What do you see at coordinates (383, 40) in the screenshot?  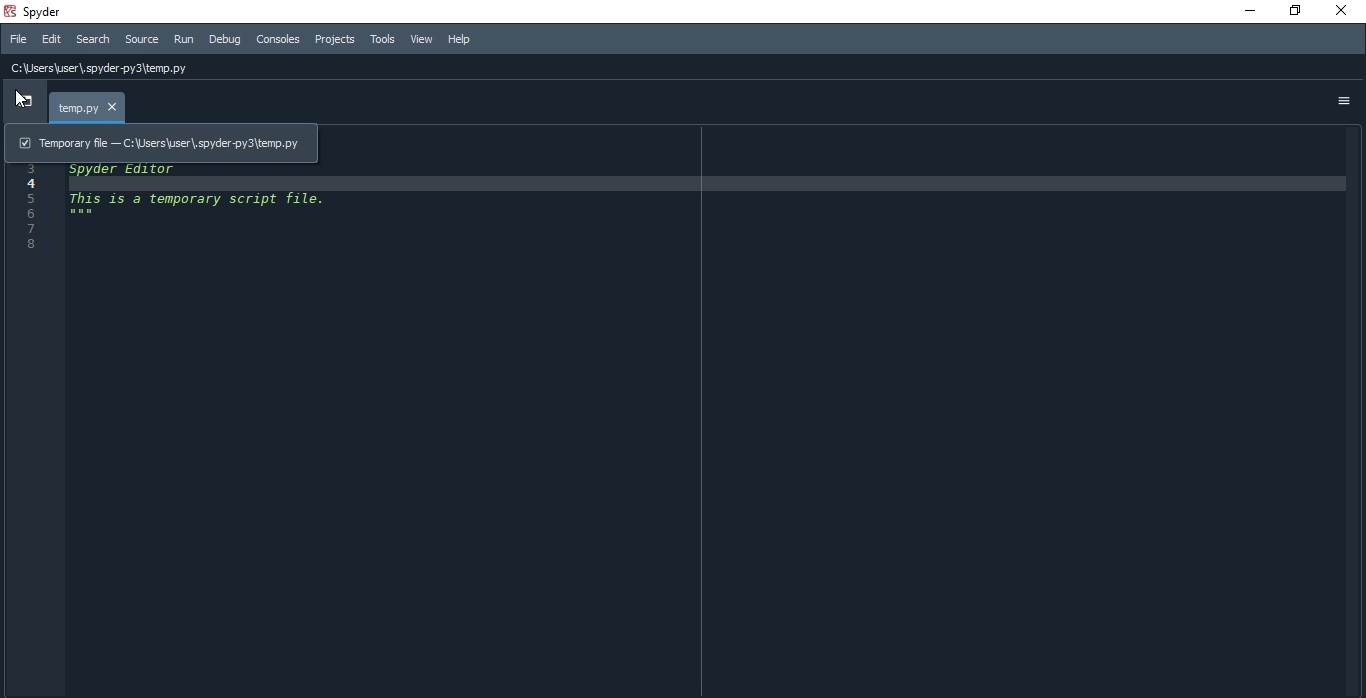 I see `Tools` at bounding box center [383, 40].